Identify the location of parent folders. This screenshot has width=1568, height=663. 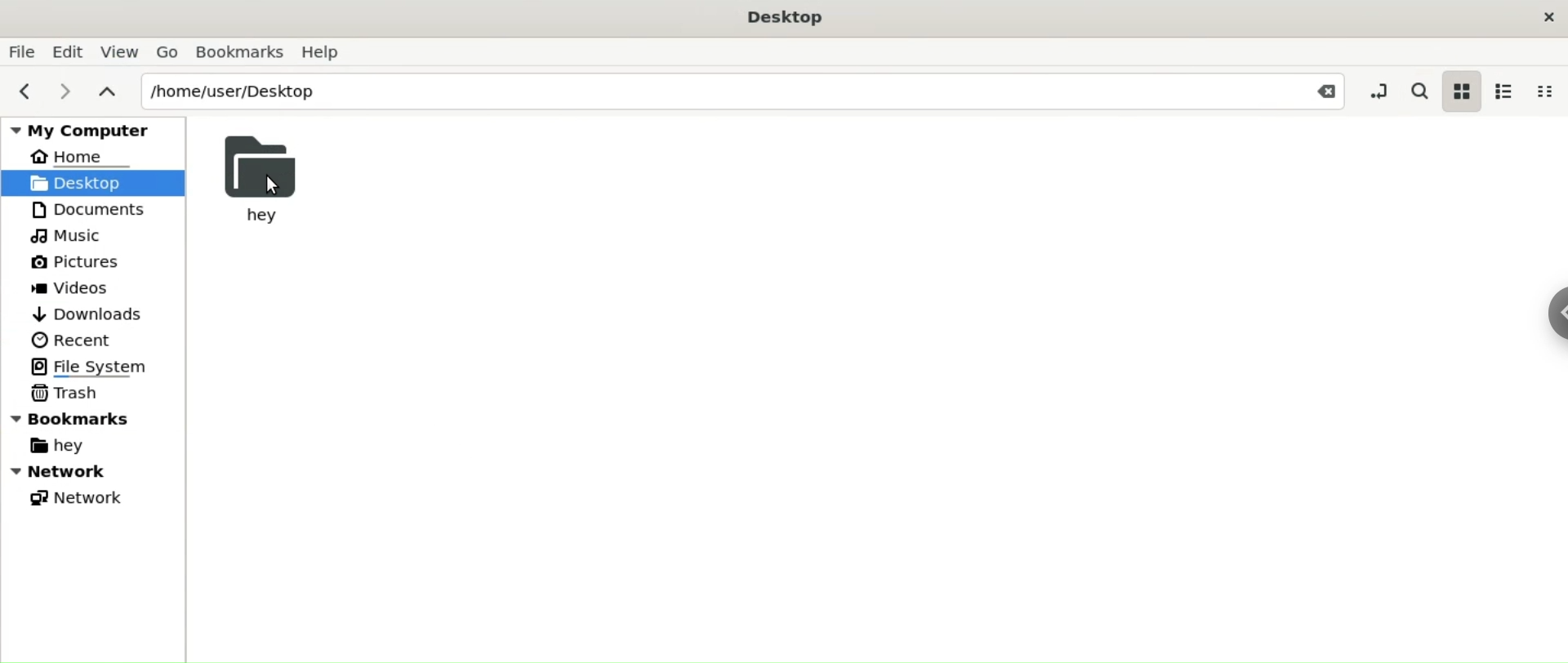
(106, 90).